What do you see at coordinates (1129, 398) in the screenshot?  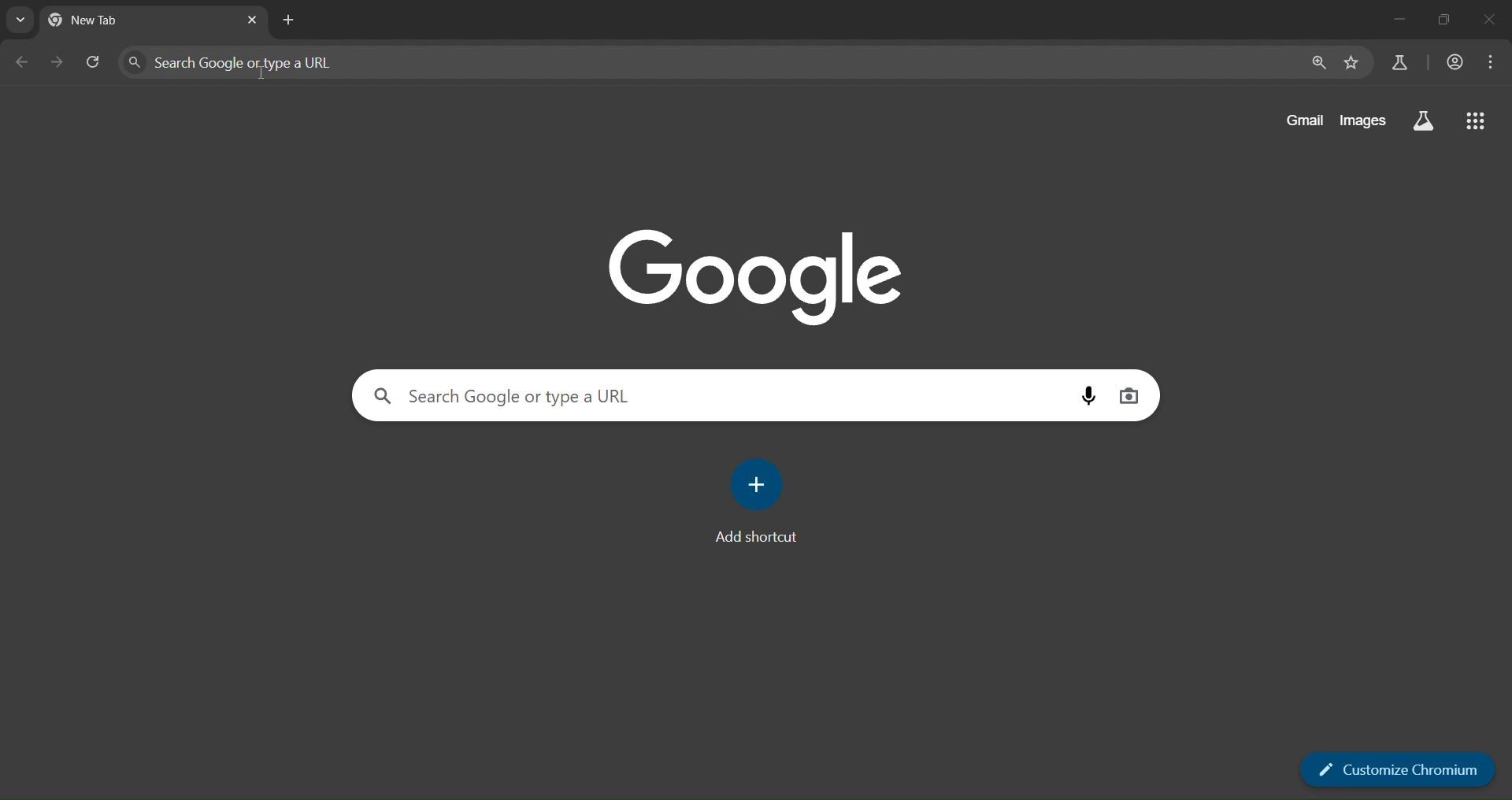 I see `image search` at bounding box center [1129, 398].